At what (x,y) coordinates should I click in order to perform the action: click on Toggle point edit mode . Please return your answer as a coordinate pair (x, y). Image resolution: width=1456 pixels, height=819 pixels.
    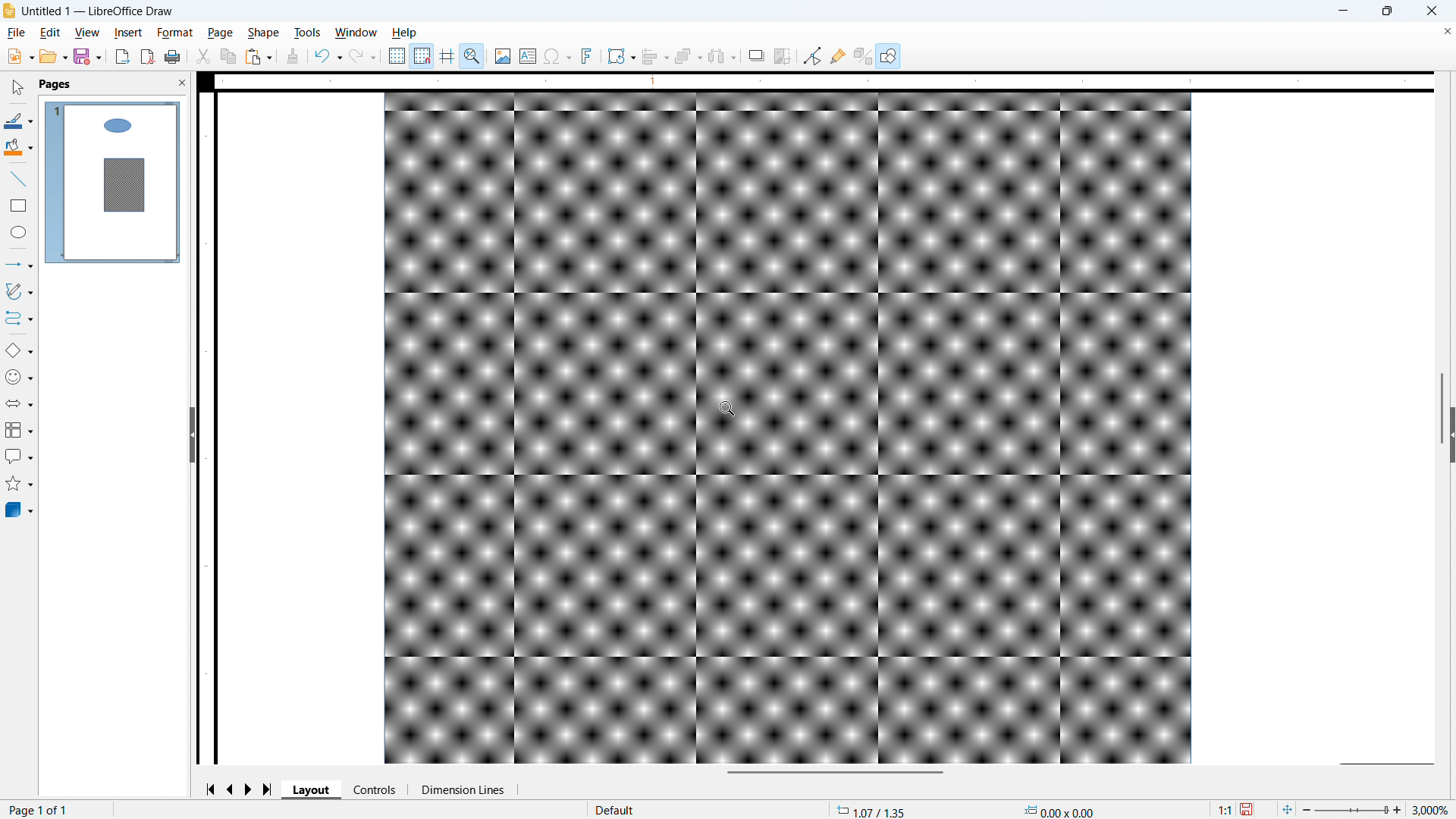
    Looking at the image, I should click on (812, 56).